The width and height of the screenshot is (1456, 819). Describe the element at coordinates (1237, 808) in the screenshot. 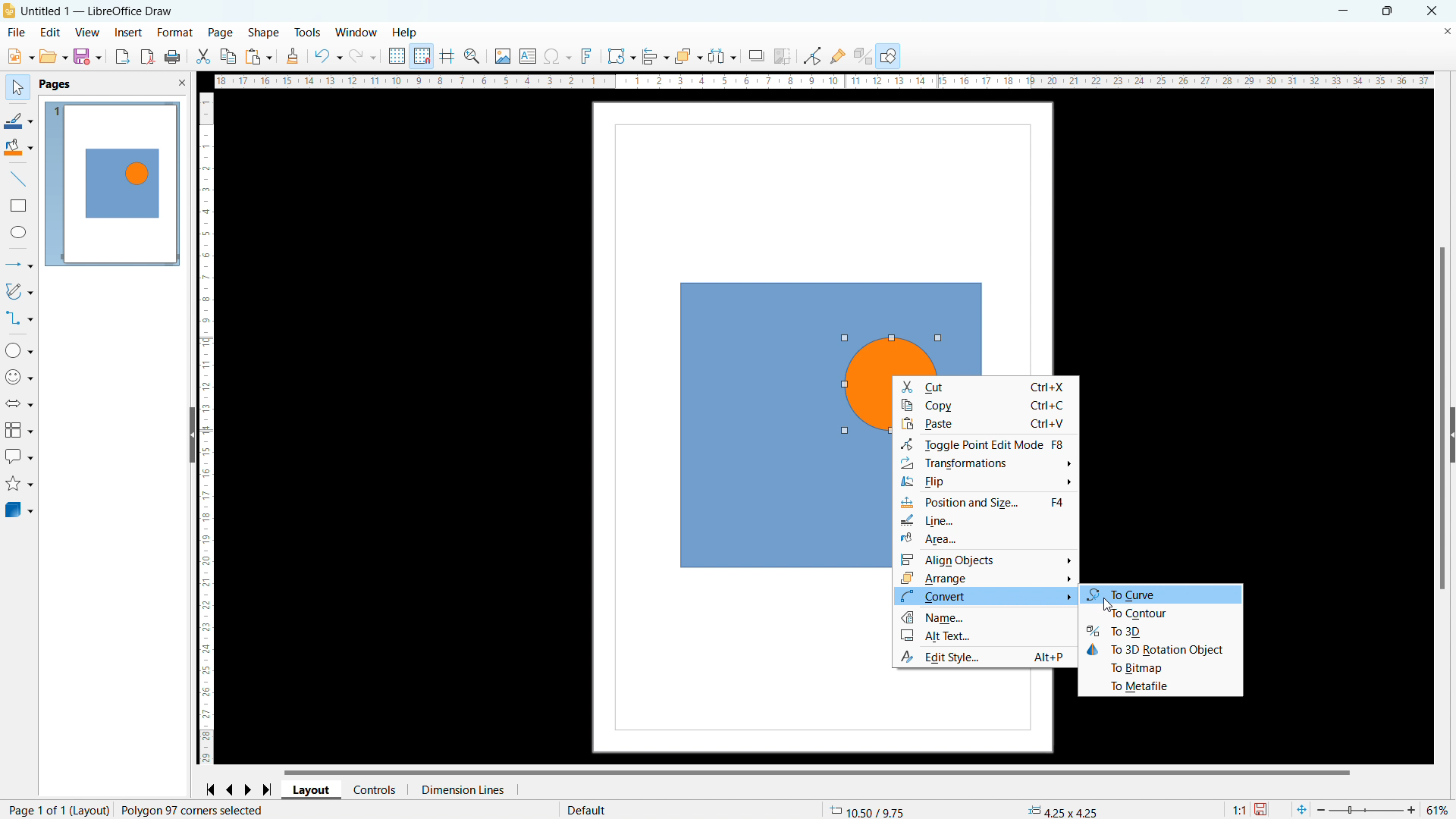

I see `1:1` at that location.